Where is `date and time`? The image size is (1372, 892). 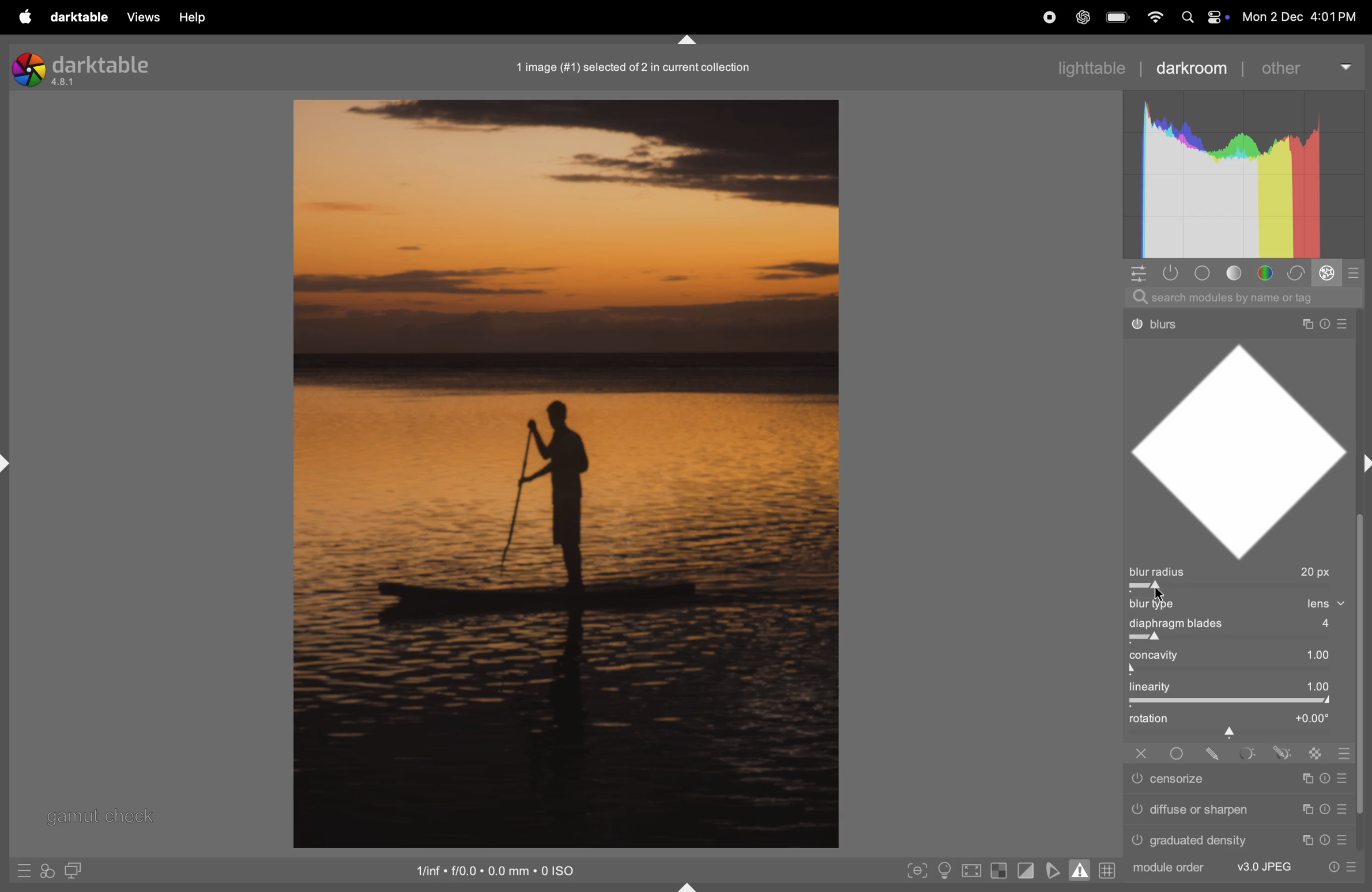 date and time is located at coordinates (1301, 13).